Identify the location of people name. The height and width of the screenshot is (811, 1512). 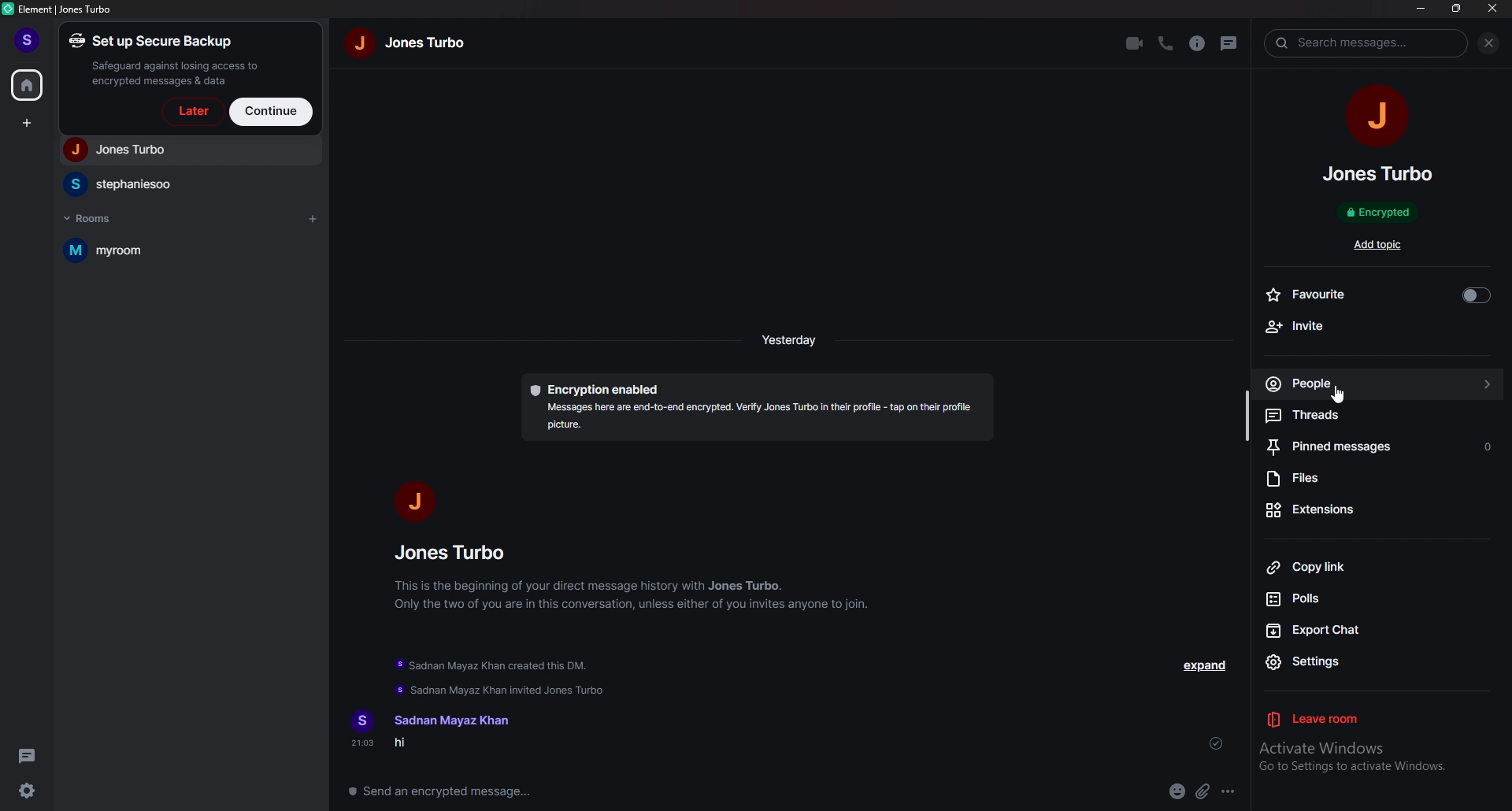
(1378, 174).